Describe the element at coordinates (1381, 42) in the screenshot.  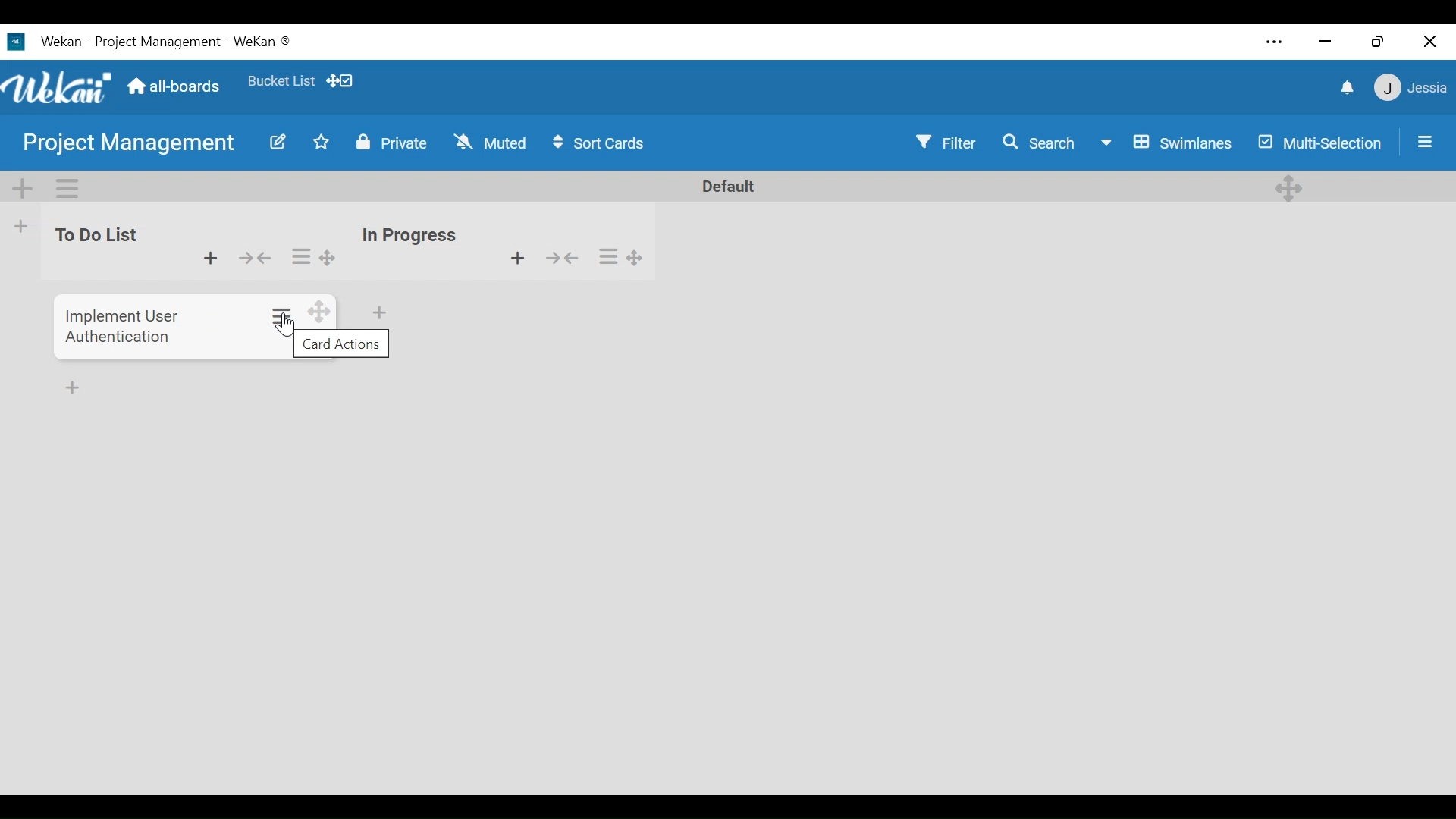
I see `restore` at that location.